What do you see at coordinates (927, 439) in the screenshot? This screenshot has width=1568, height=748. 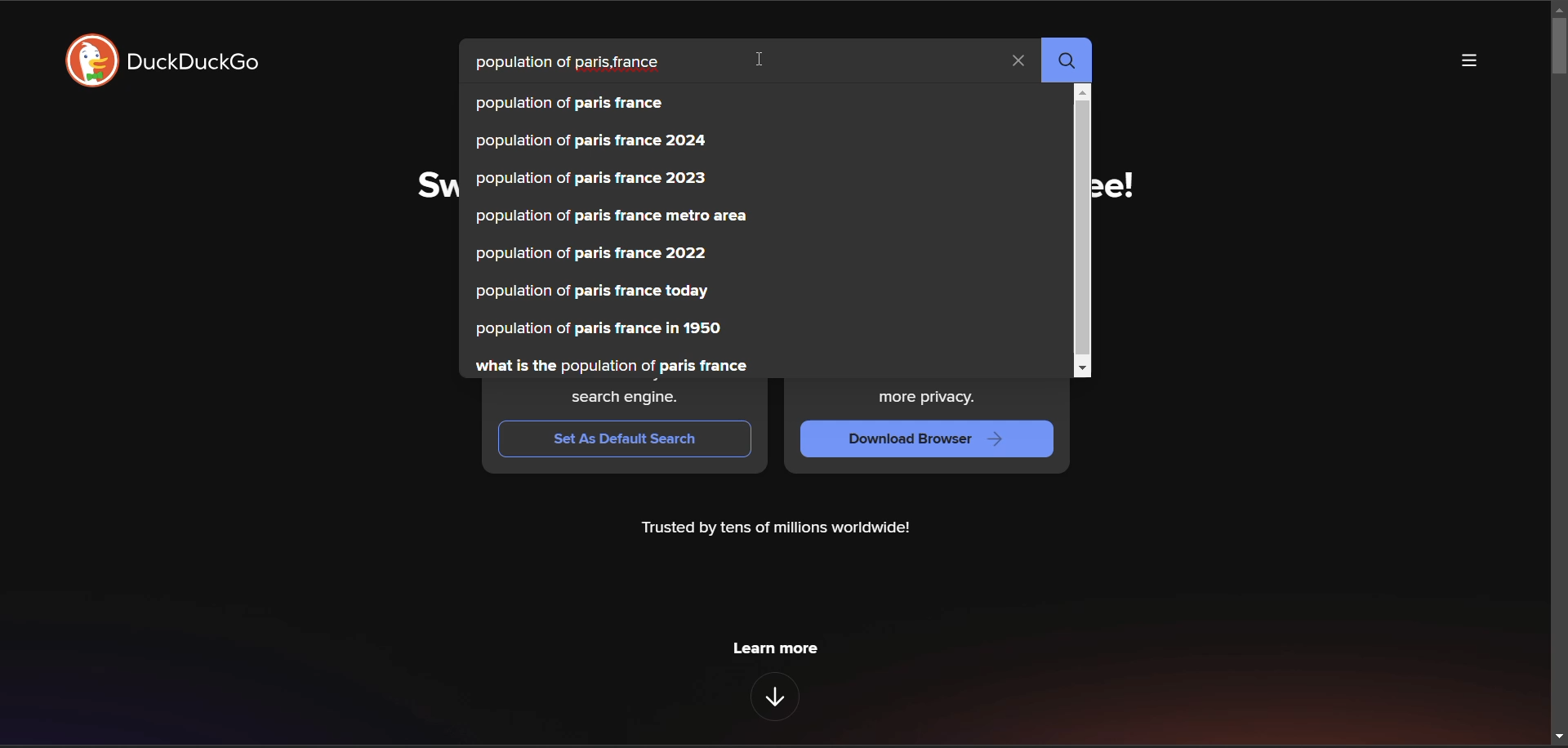 I see `Download Browser >` at bounding box center [927, 439].